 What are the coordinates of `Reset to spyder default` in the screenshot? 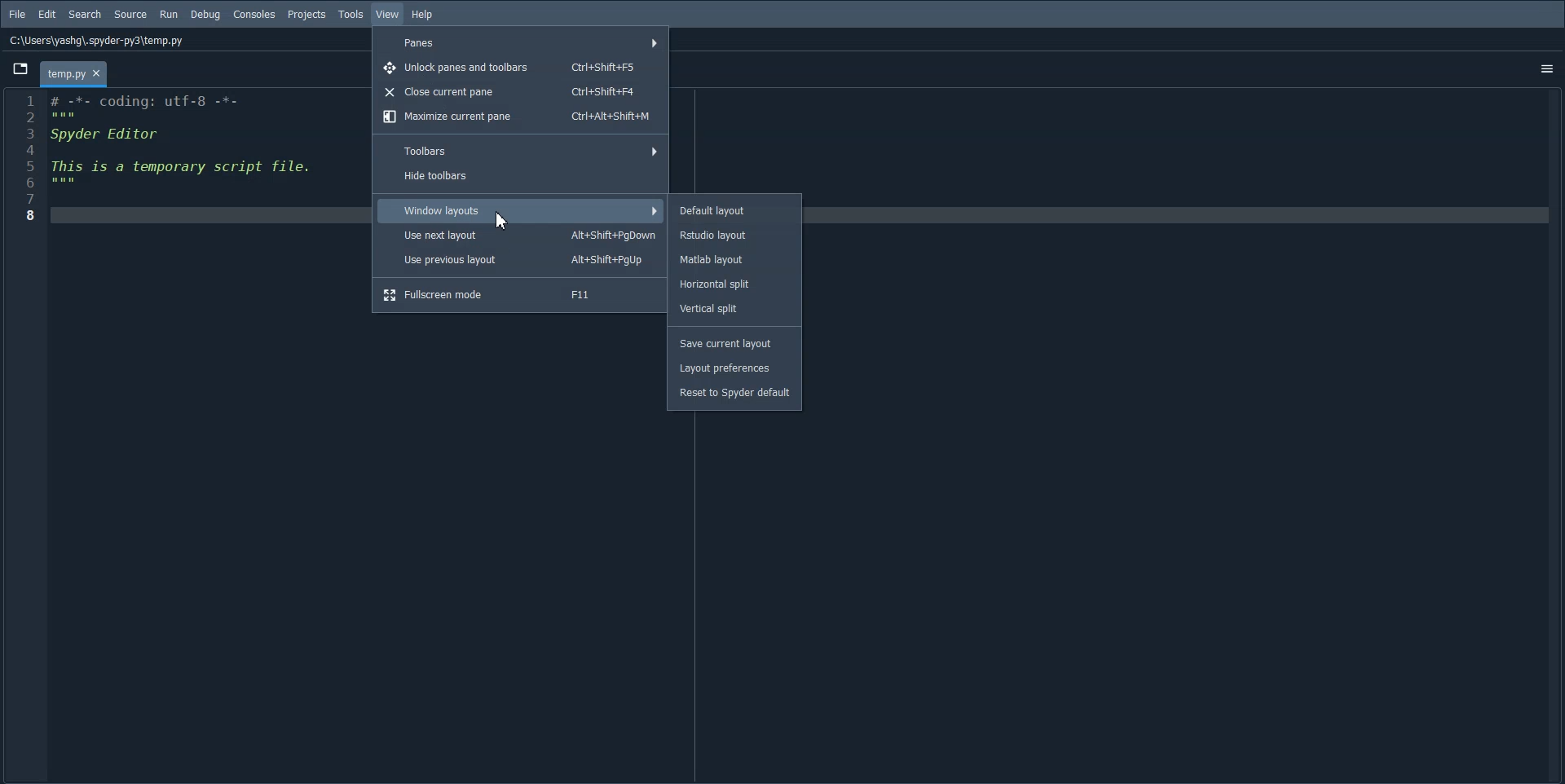 It's located at (734, 392).